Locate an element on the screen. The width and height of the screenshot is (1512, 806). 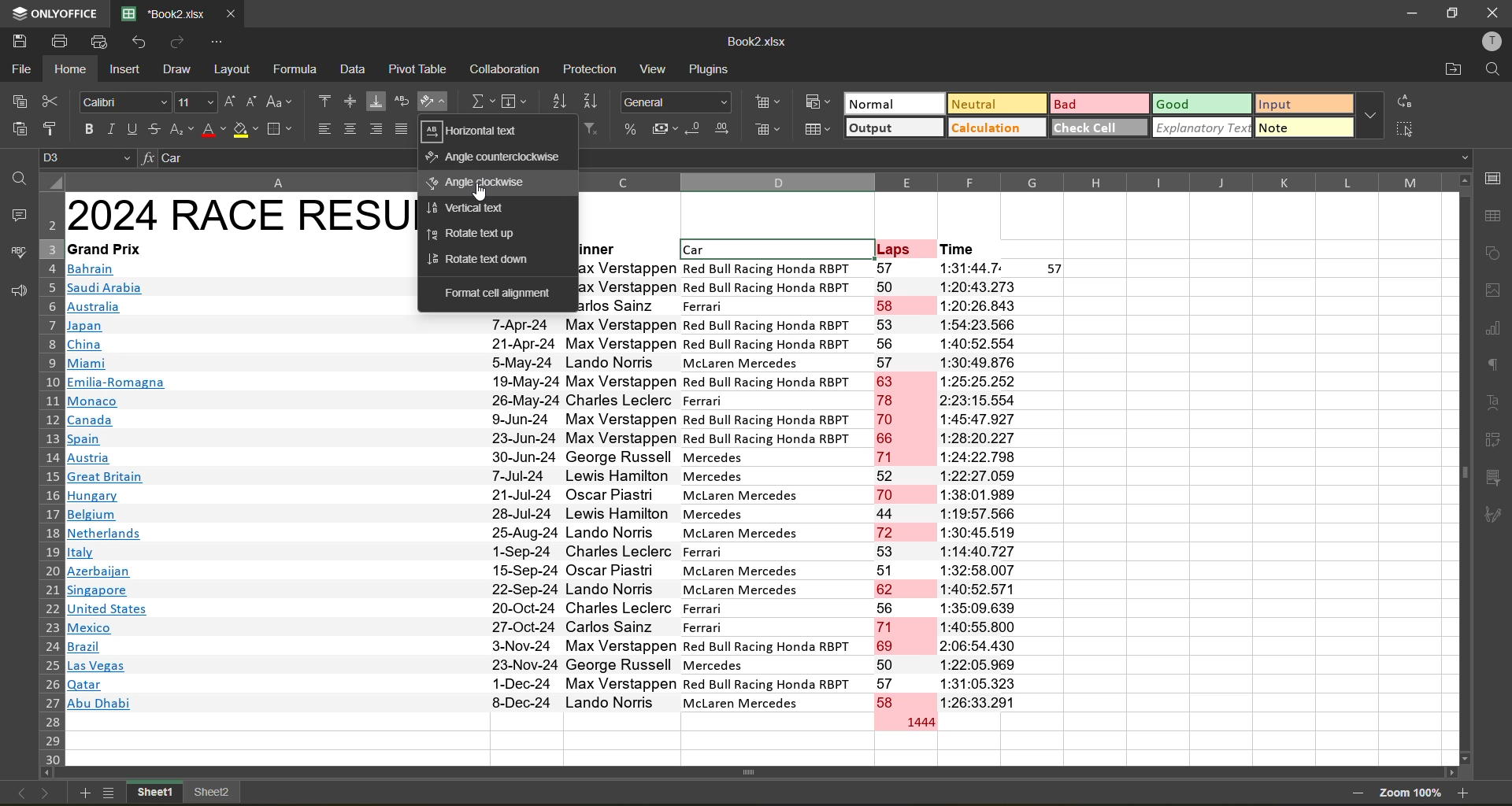
insert is located at coordinates (124, 68).